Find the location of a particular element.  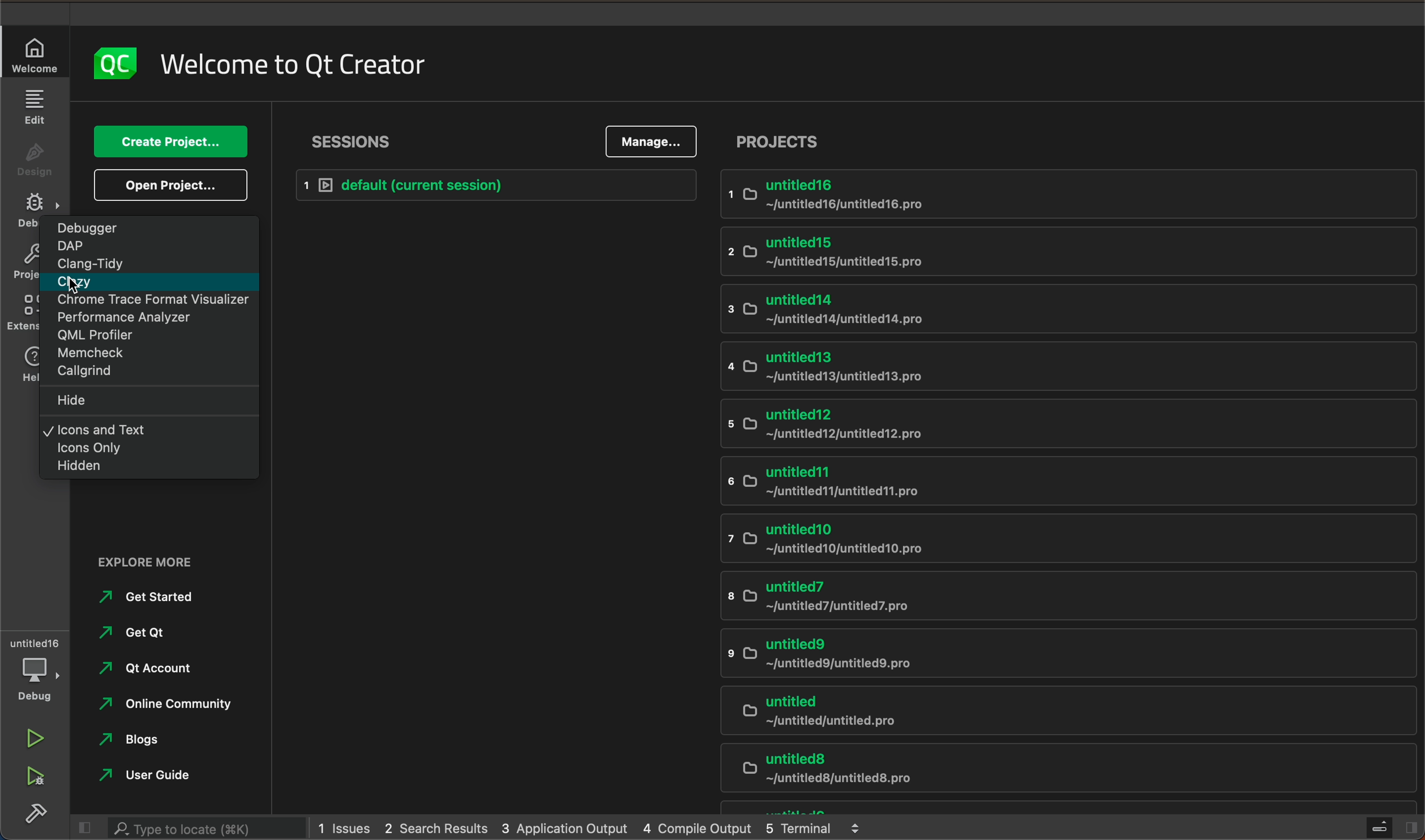

welcome to QT Creator is located at coordinates (293, 63).